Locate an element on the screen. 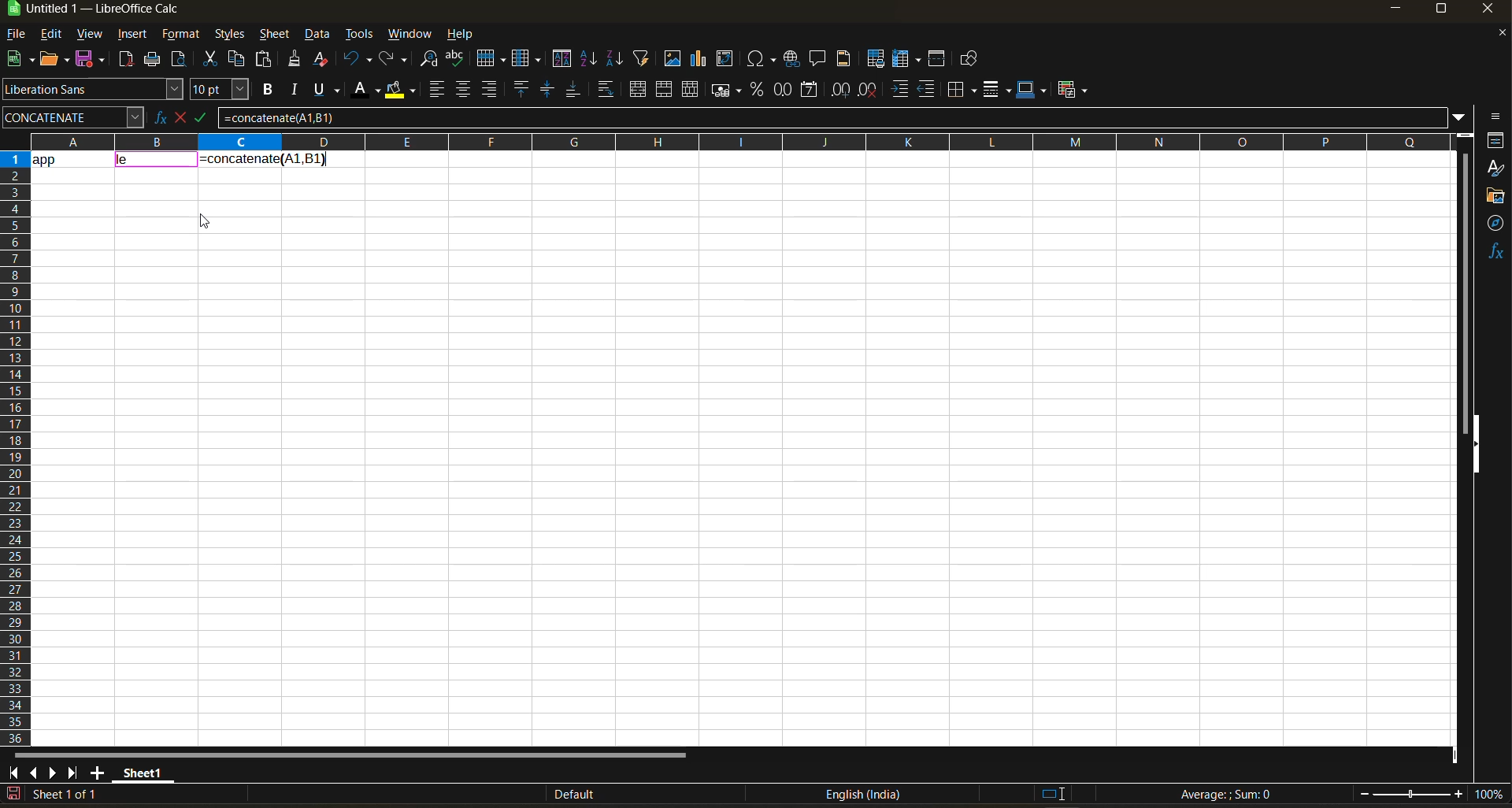 This screenshot has height=808, width=1512. font color is located at coordinates (369, 88).